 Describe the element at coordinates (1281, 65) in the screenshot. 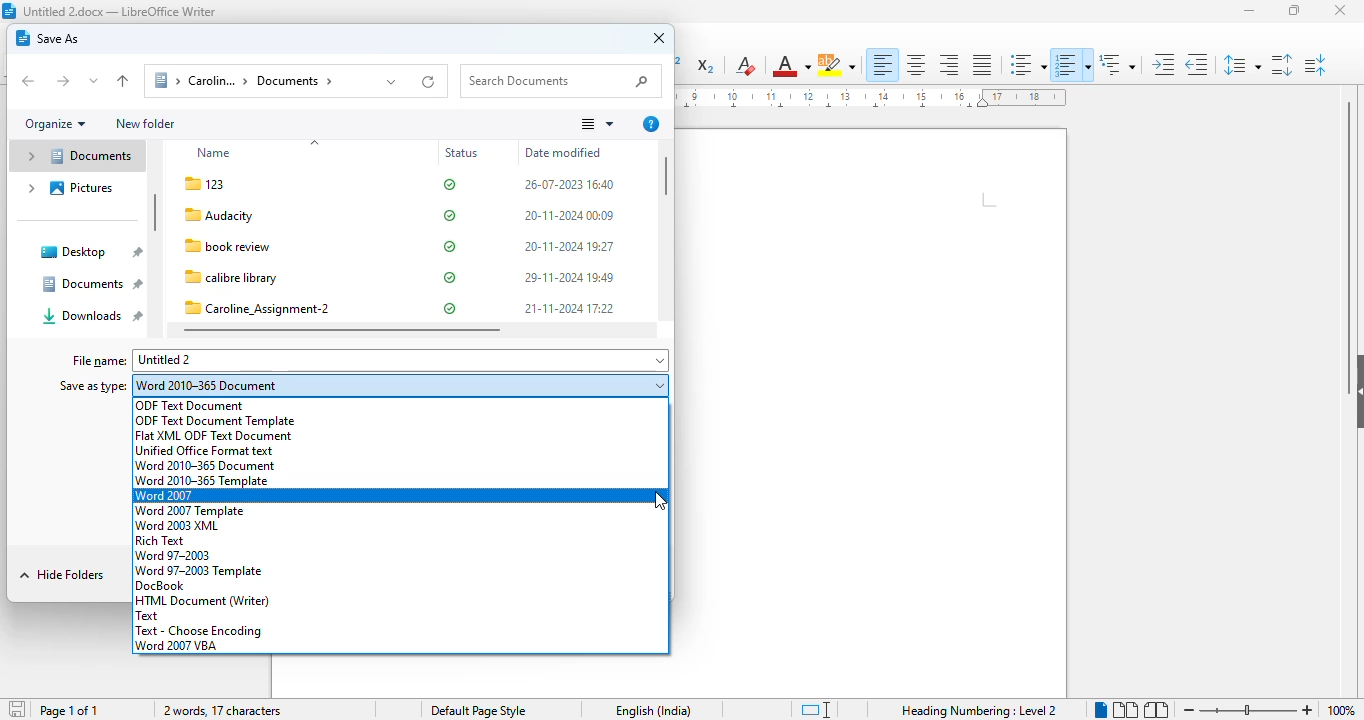

I see `increase paragraph spacing` at that location.